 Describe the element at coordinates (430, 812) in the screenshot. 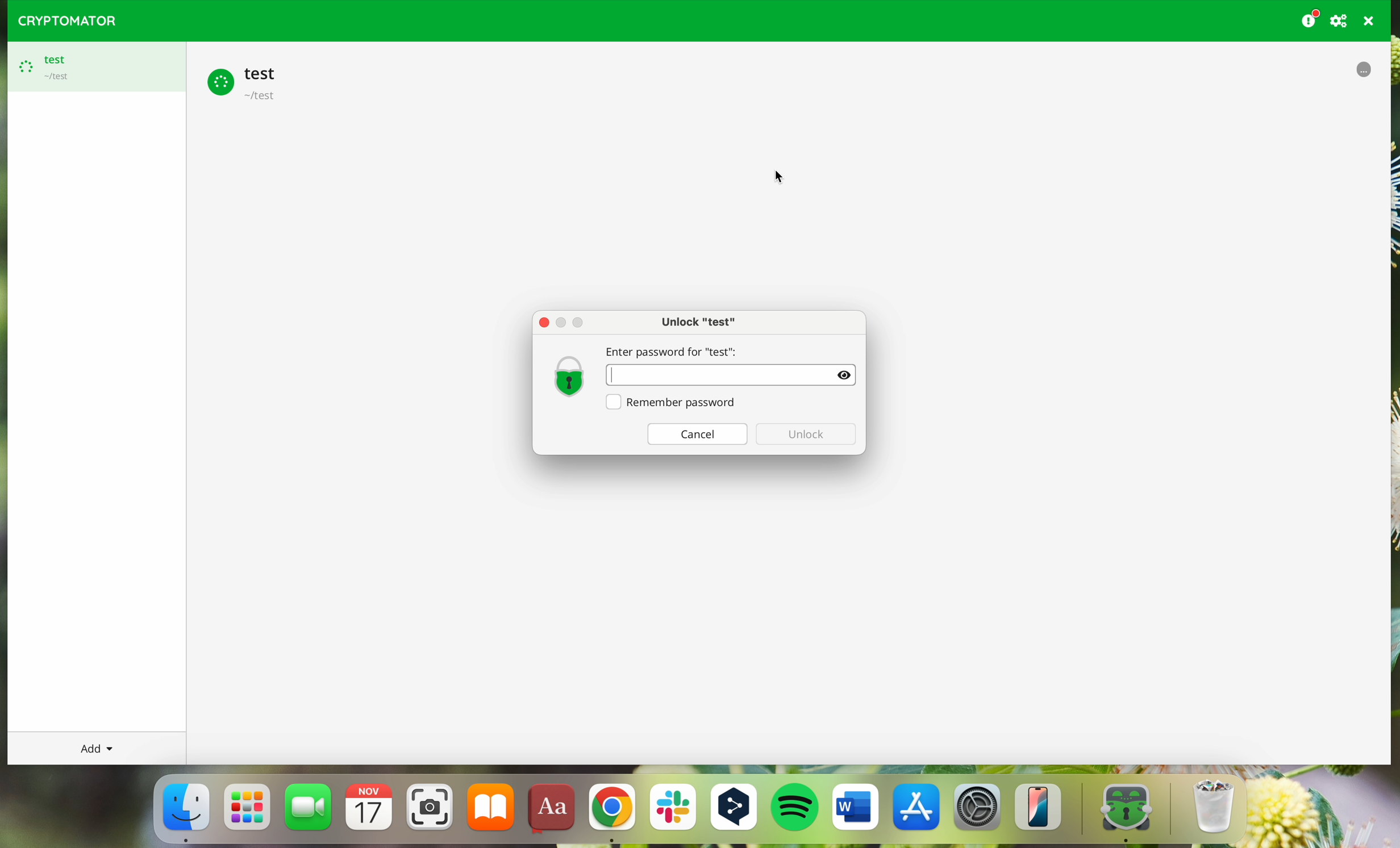

I see `screenshot` at that location.